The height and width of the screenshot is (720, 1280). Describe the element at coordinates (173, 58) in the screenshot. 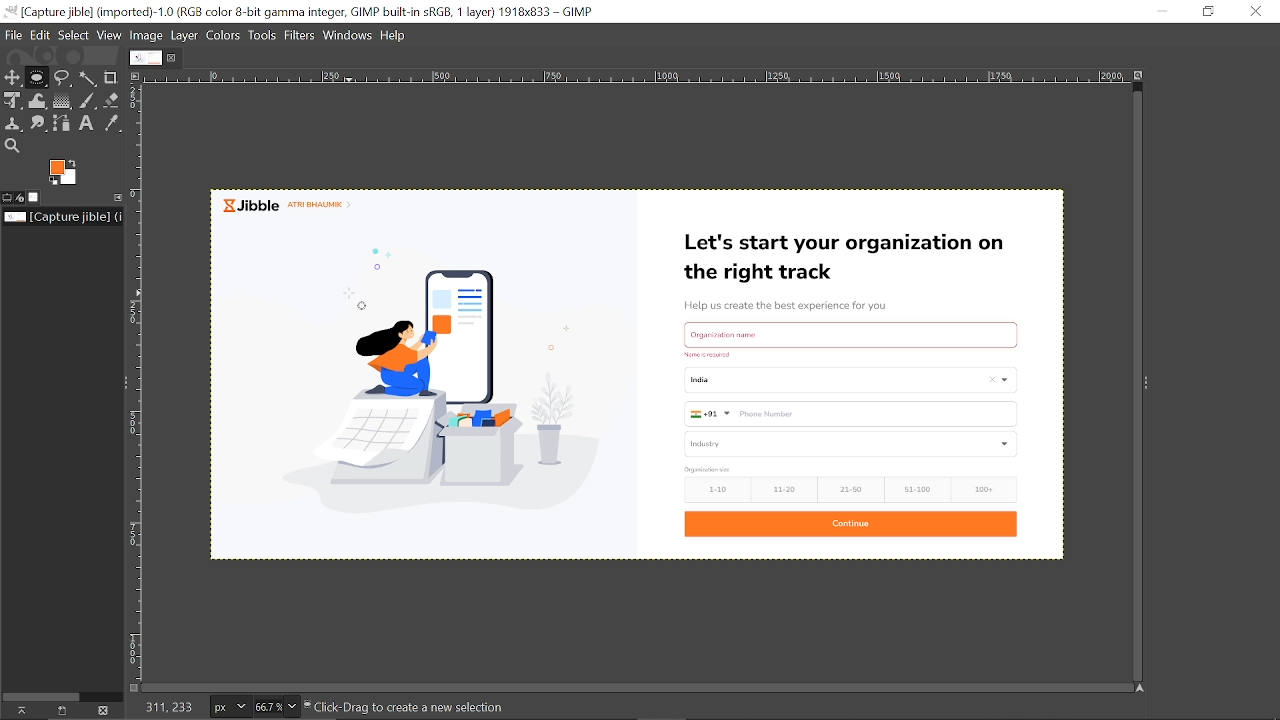

I see `Close current image` at that location.